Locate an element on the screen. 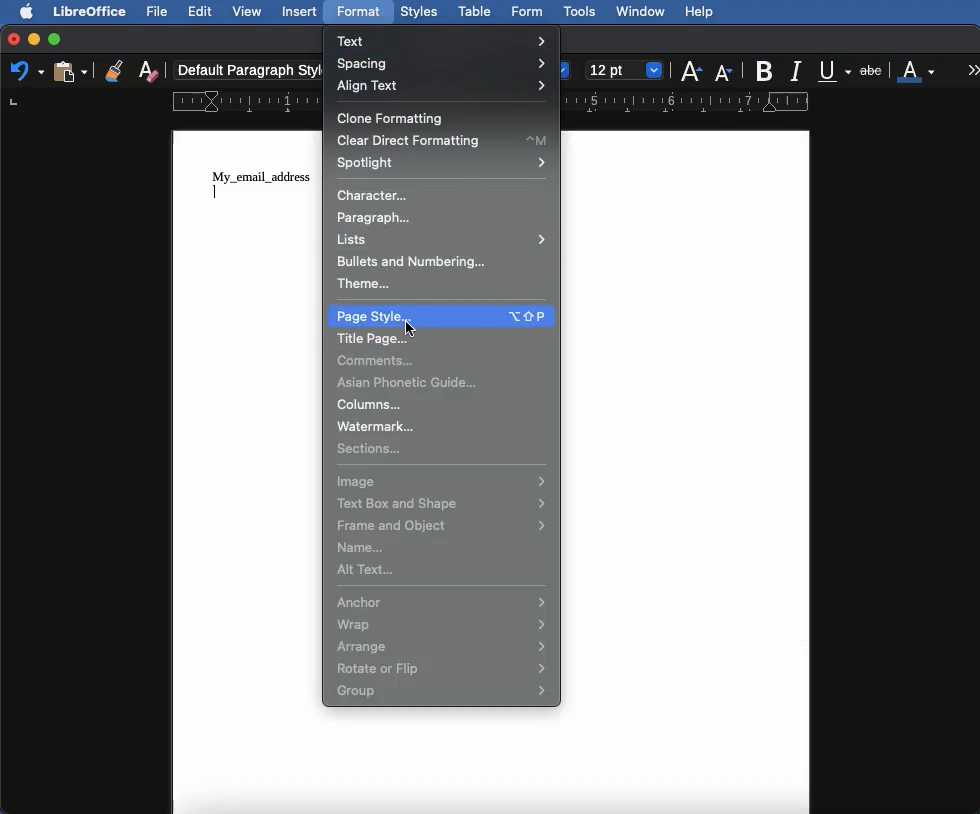 This screenshot has height=814, width=980. Text box and shape is located at coordinates (443, 502).